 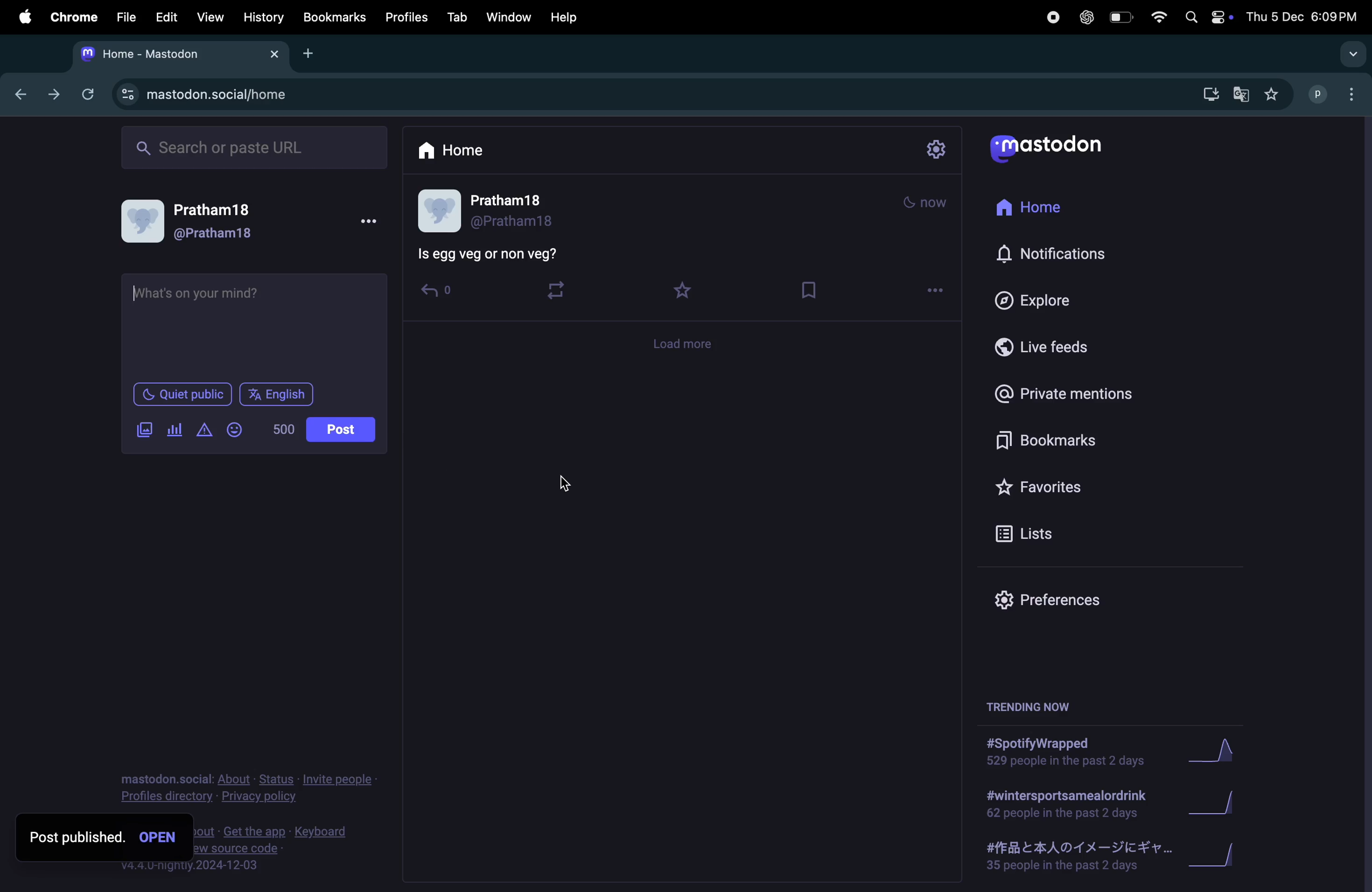 I want to click on home, so click(x=452, y=149).